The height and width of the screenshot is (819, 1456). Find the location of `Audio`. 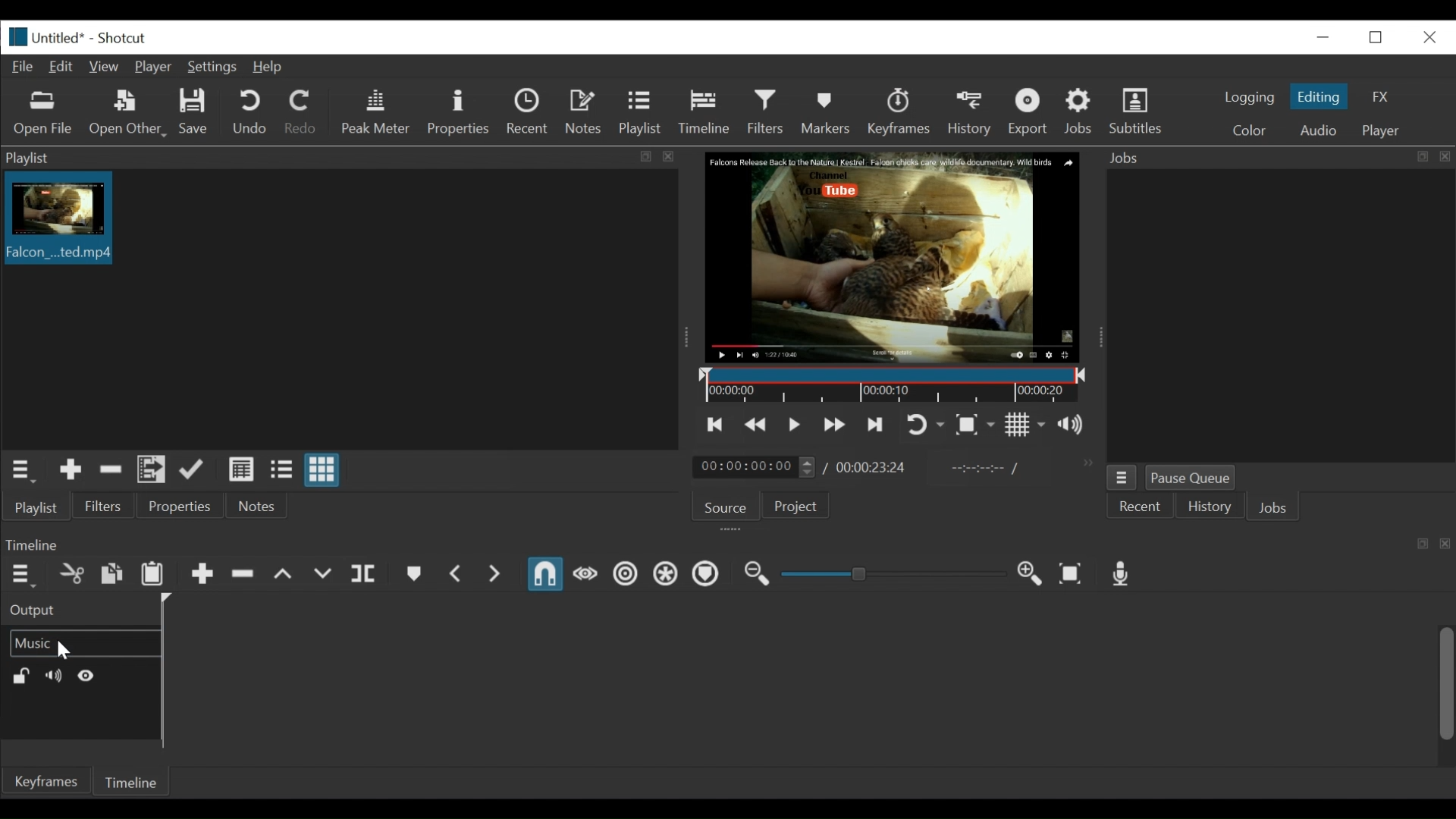

Audio is located at coordinates (1316, 129).